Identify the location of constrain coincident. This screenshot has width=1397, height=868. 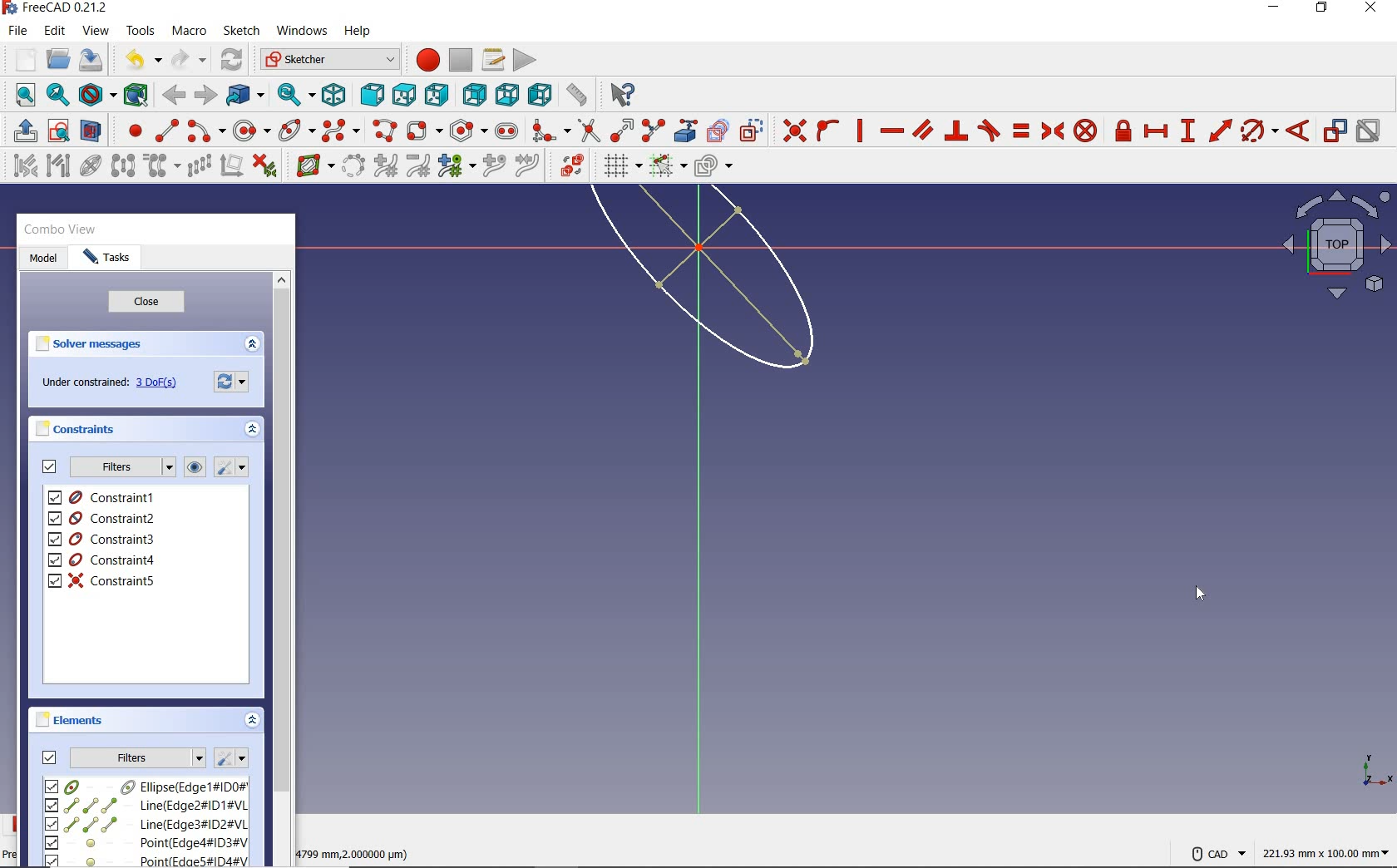
(790, 131).